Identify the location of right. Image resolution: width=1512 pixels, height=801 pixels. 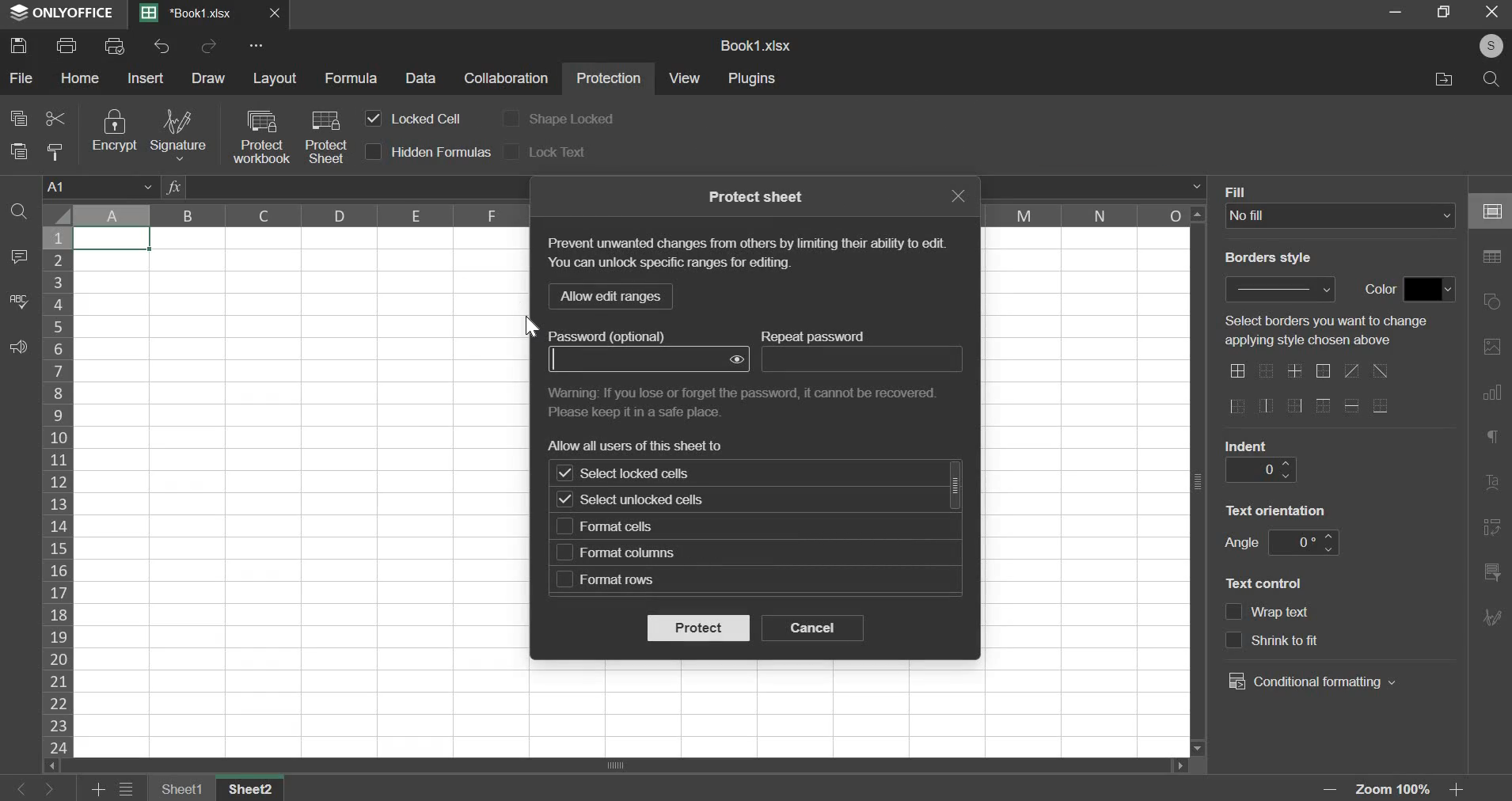
(48, 790).